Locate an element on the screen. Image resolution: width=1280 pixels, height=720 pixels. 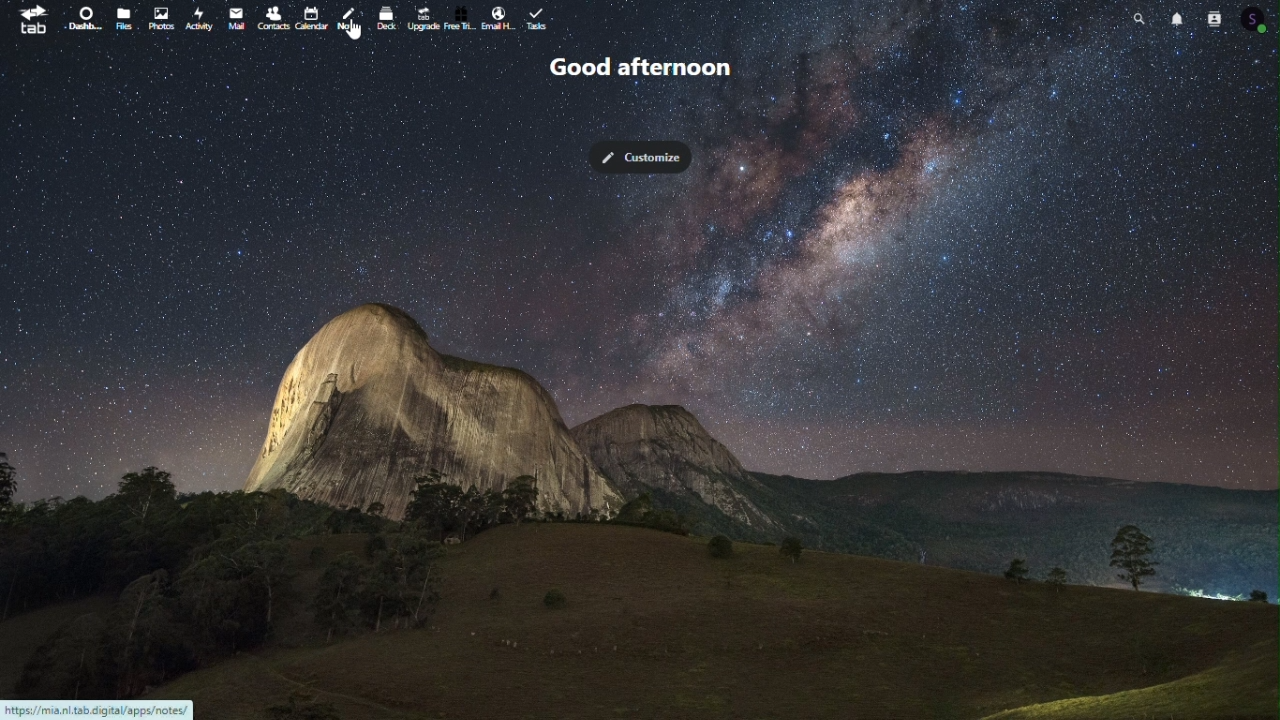
Search bar is located at coordinates (1138, 16).